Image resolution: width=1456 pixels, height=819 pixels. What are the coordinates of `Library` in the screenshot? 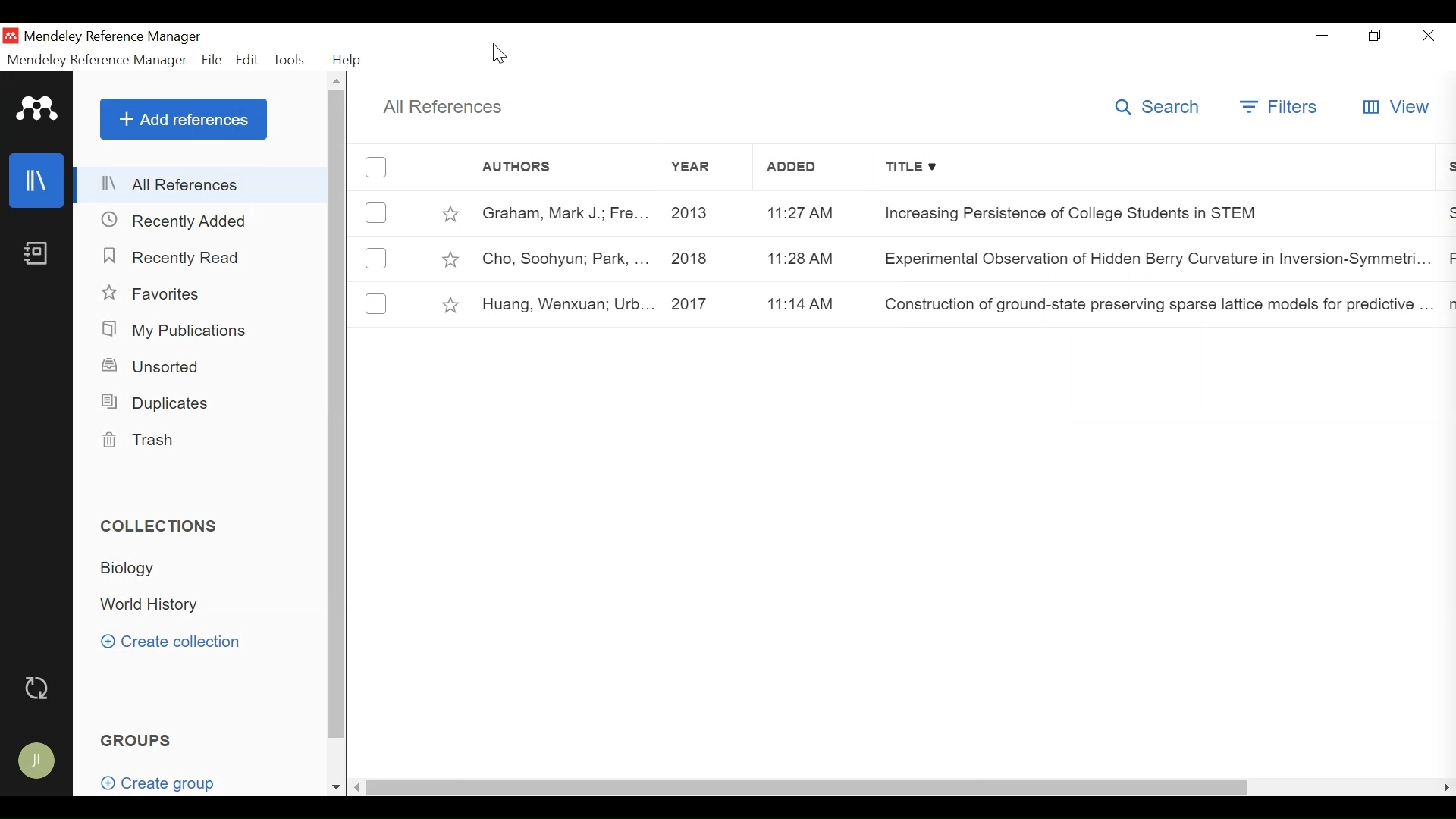 It's located at (38, 180).